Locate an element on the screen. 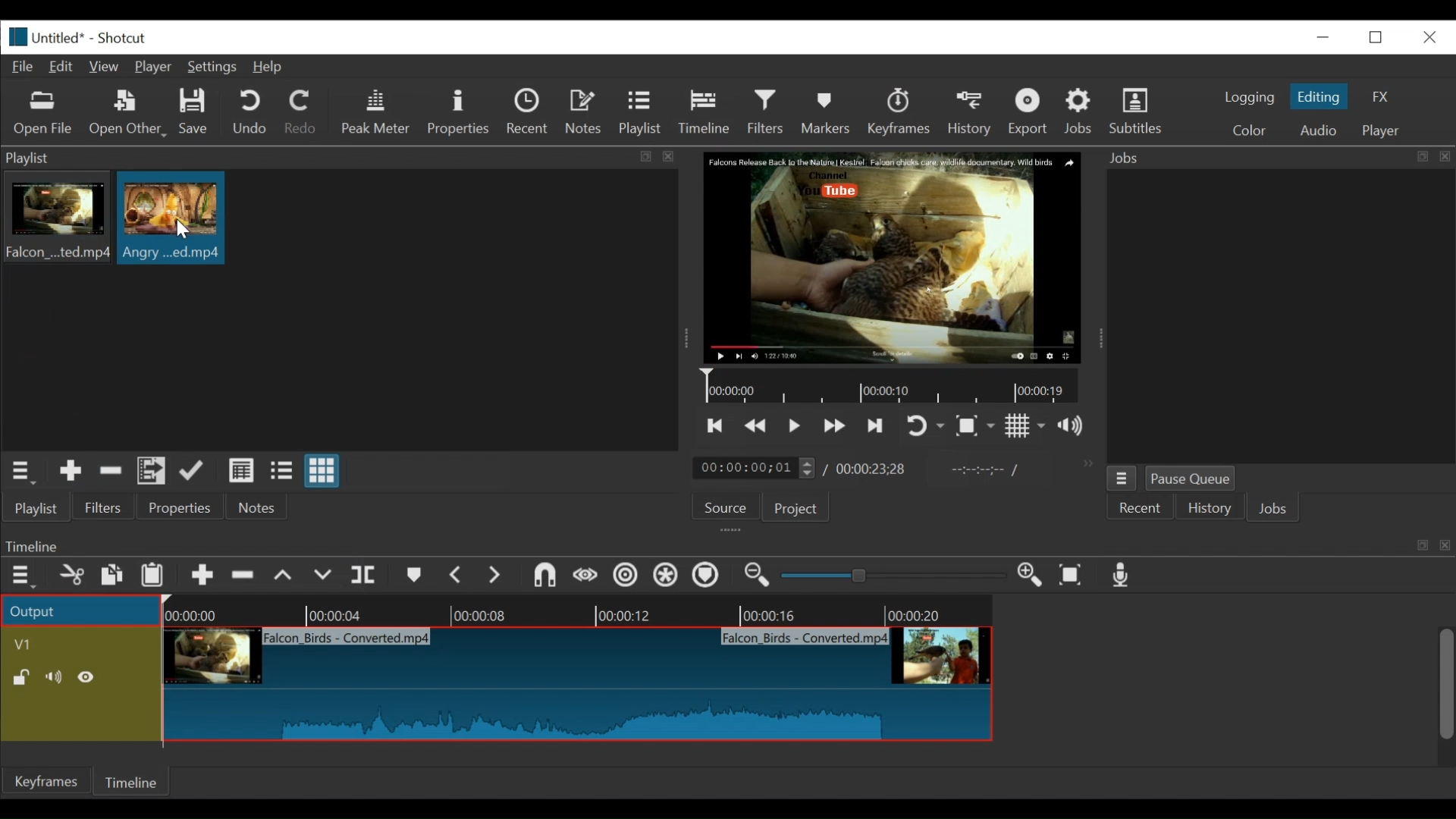 The image size is (1456, 819). slider is located at coordinates (889, 576).